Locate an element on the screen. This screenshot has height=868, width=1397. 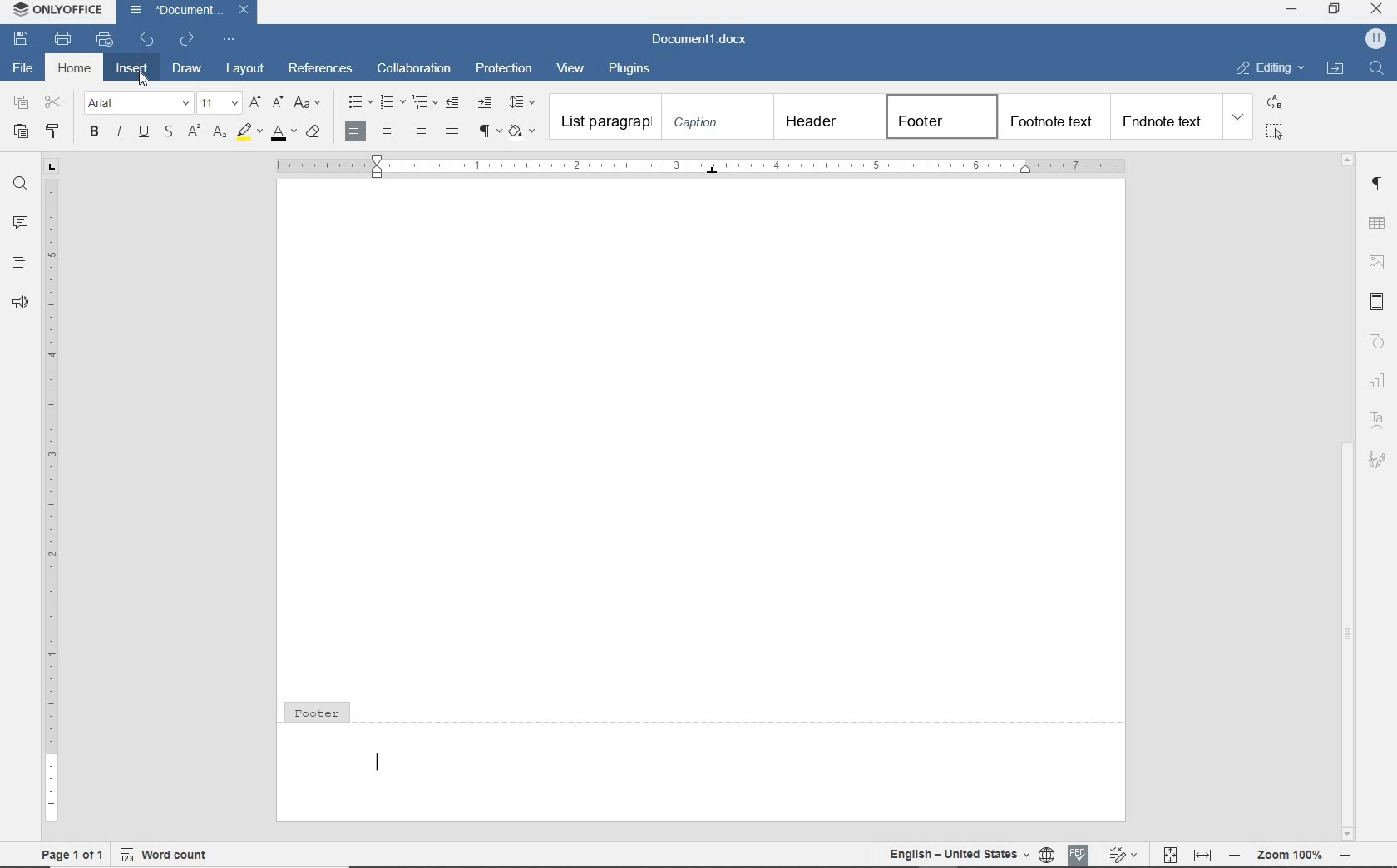
Text Art is located at coordinates (1377, 423).